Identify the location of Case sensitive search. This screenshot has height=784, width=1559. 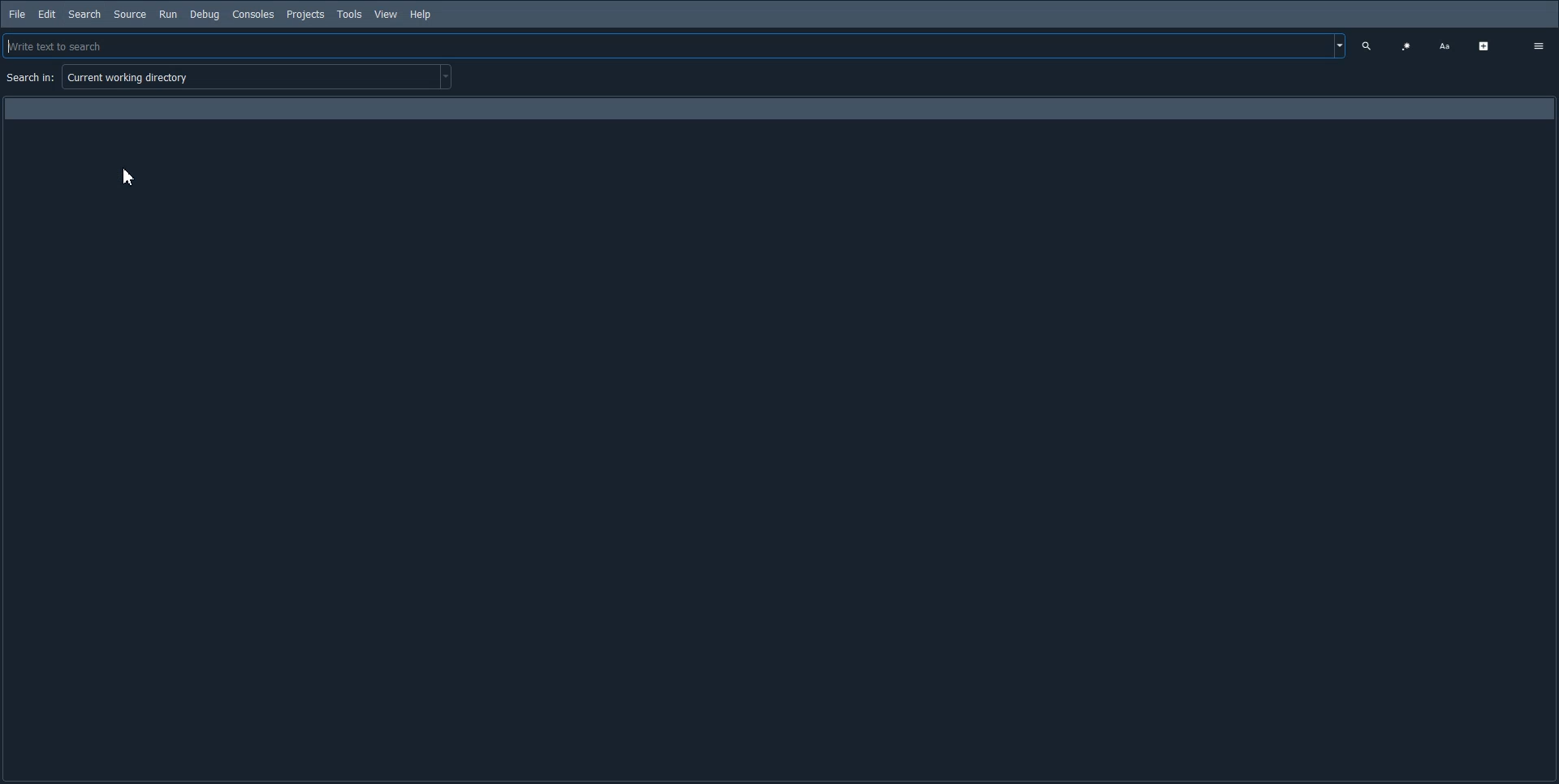
(1447, 45).